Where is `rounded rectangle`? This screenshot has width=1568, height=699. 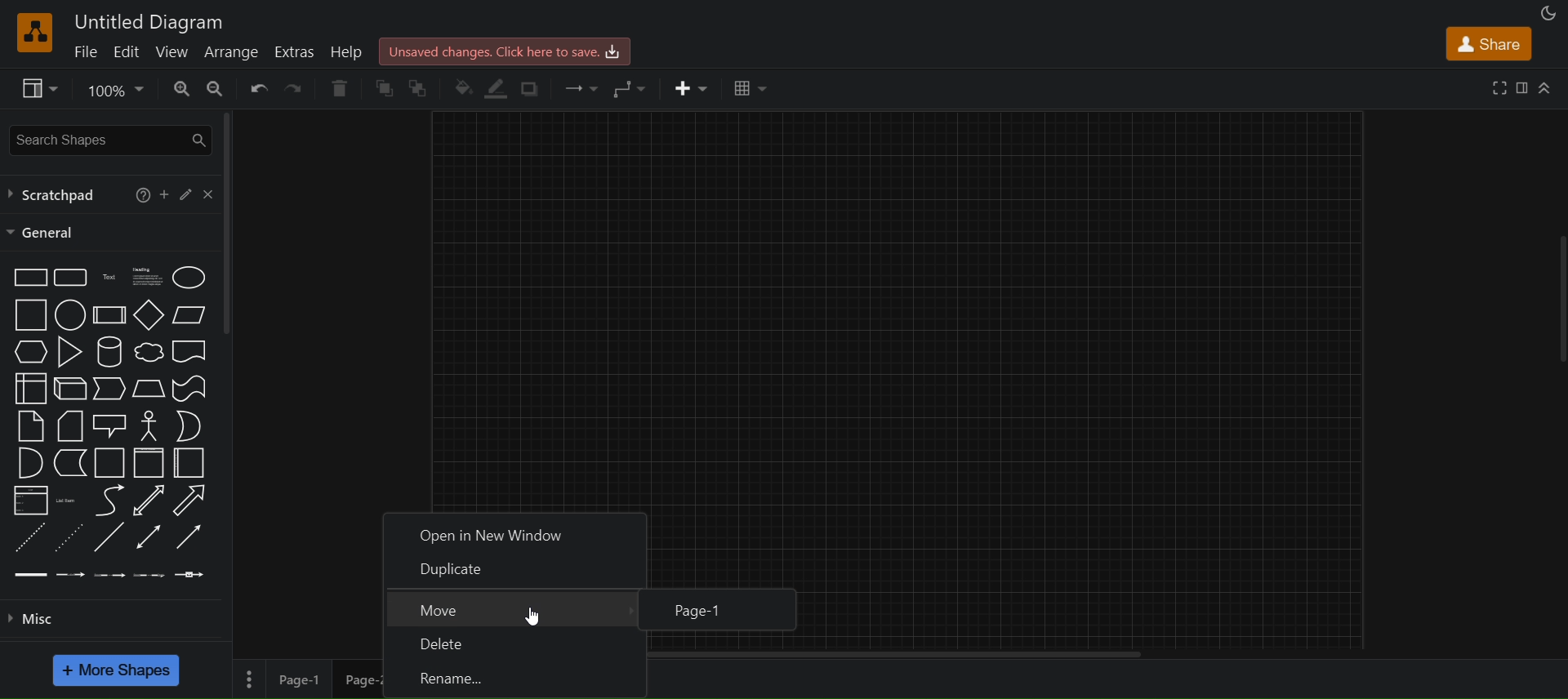
rounded rectangle is located at coordinates (70, 277).